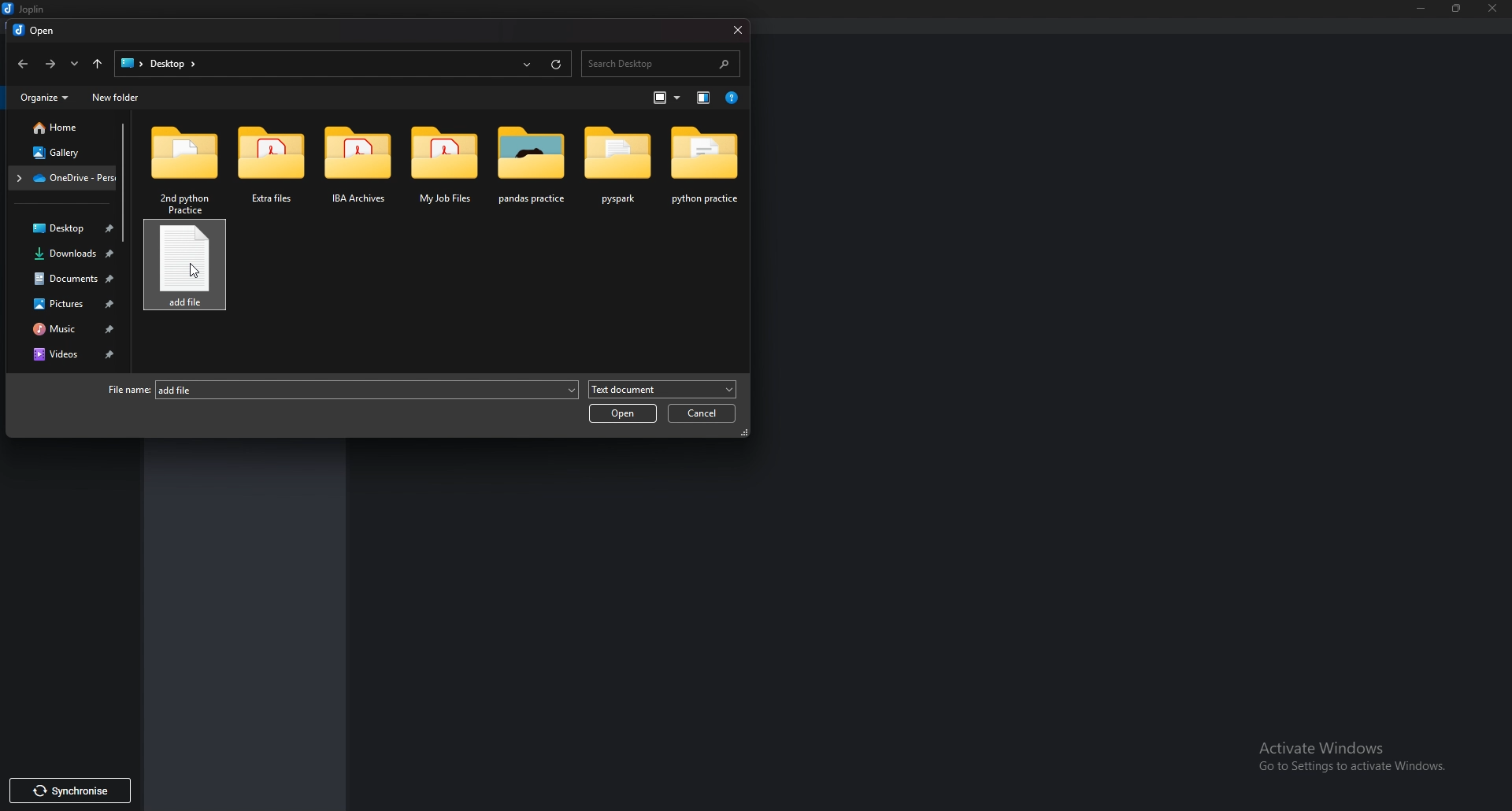  Describe the element at coordinates (702, 413) in the screenshot. I see `Cancel` at that location.